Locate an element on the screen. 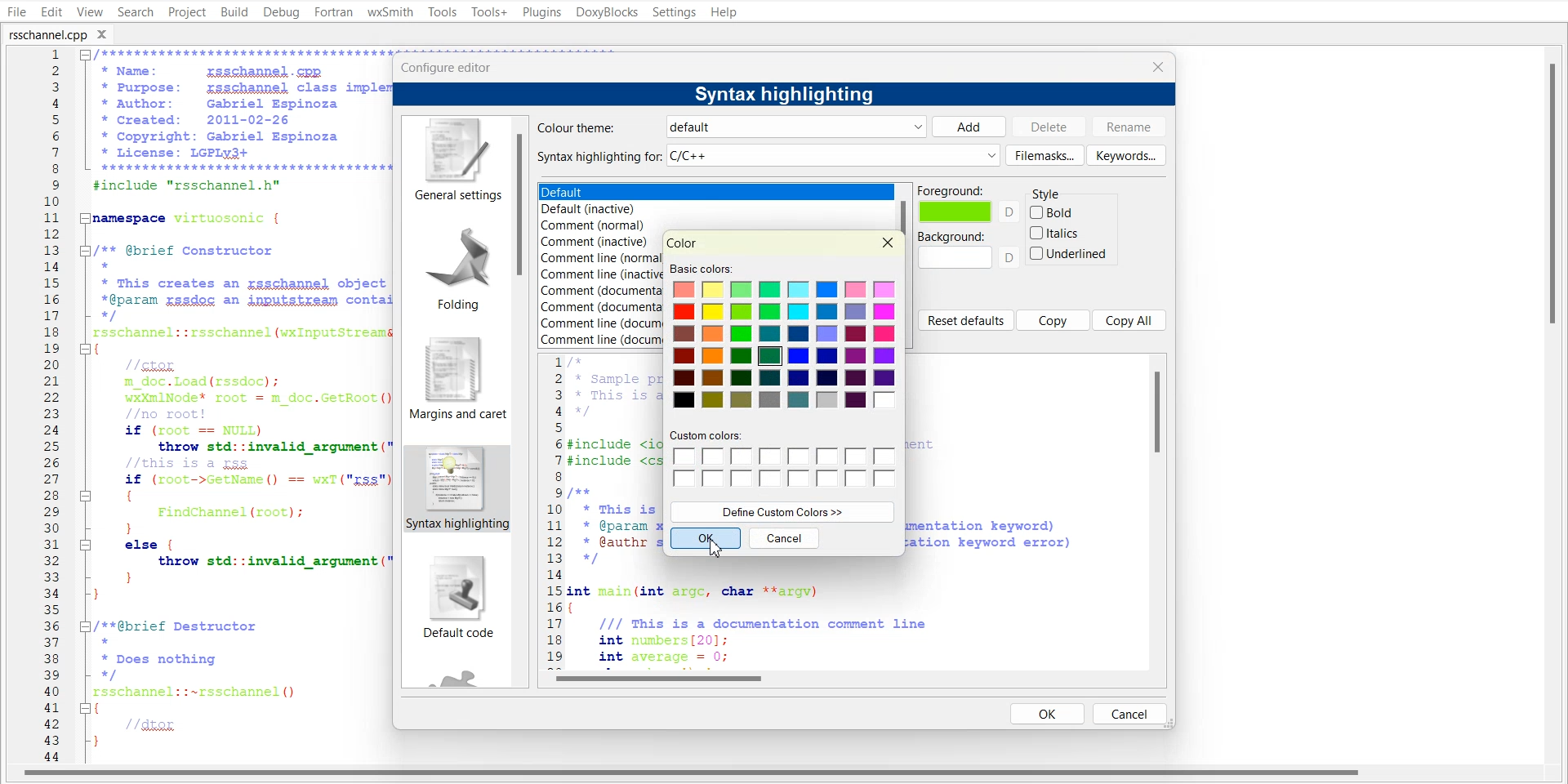 This screenshot has height=784, width=1568. Copy all is located at coordinates (1130, 319).